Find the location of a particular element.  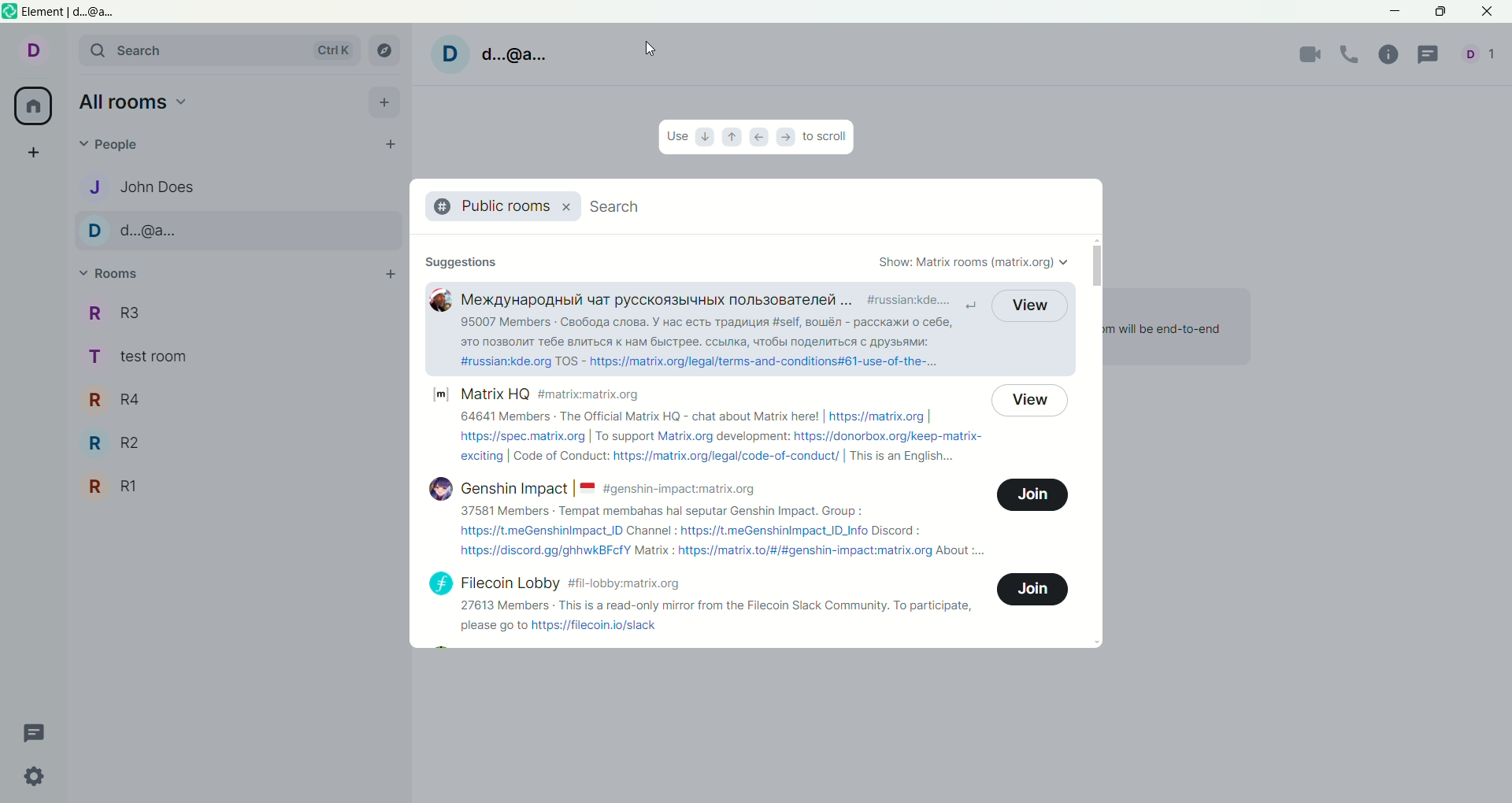

Current account/s and number of people is located at coordinates (1482, 54).